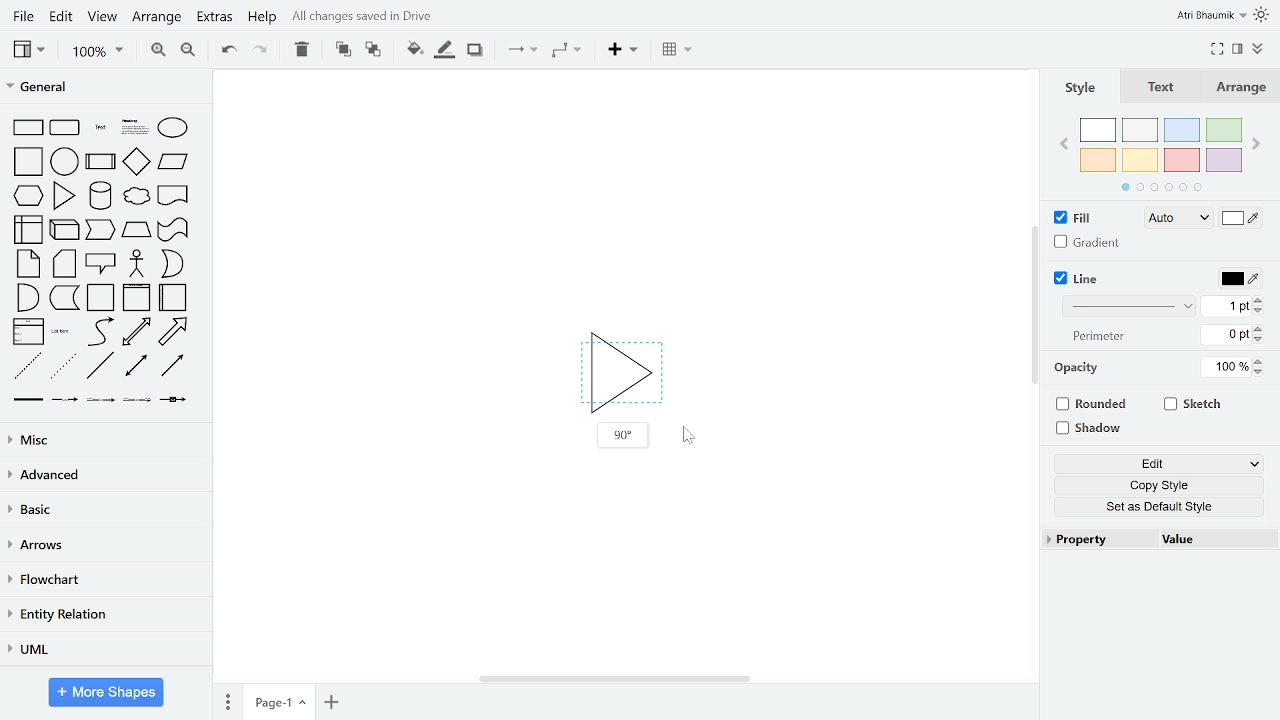 The width and height of the screenshot is (1280, 720). I want to click on ash, so click(1140, 130).